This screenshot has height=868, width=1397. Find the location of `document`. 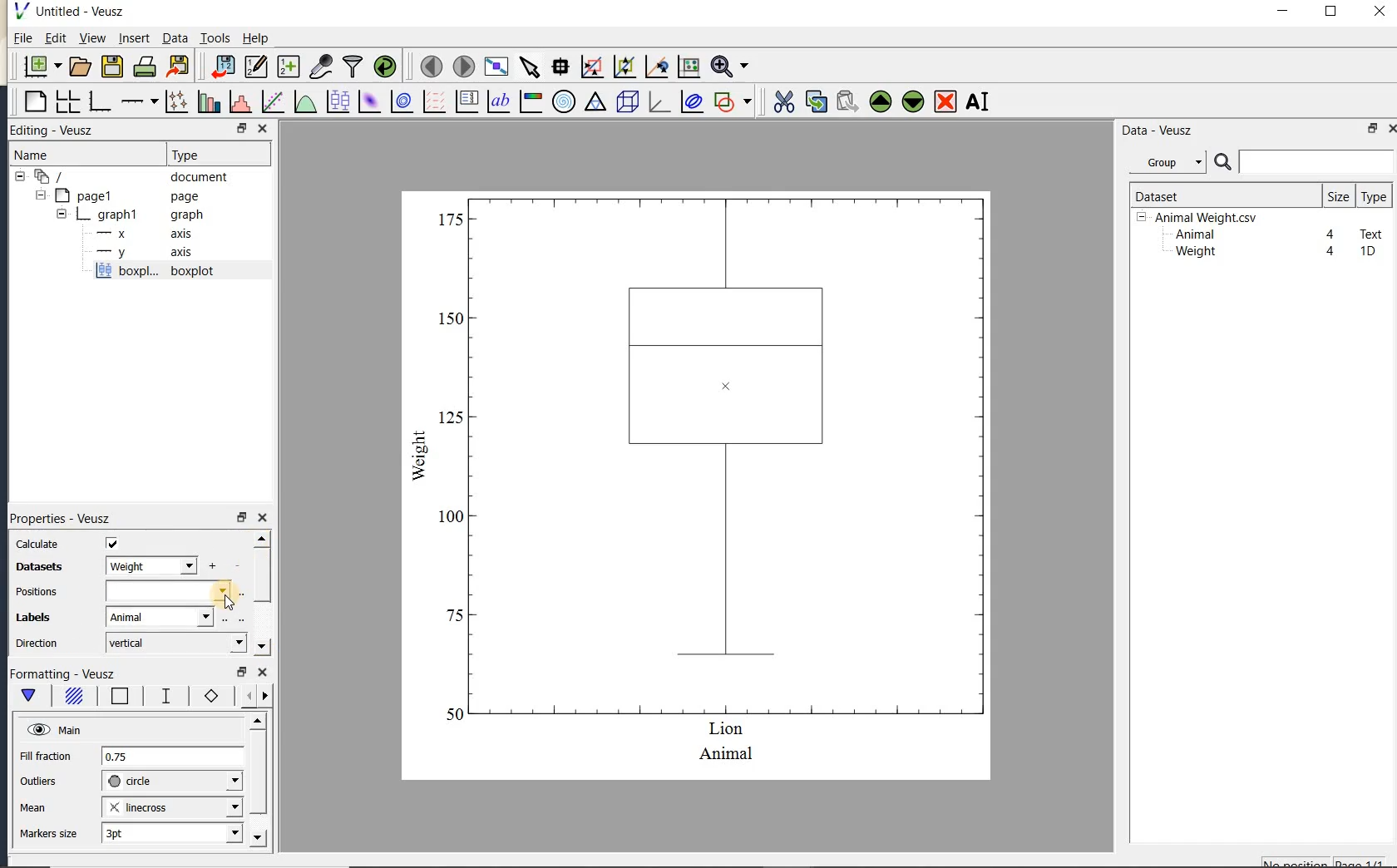

document is located at coordinates (126, 177).